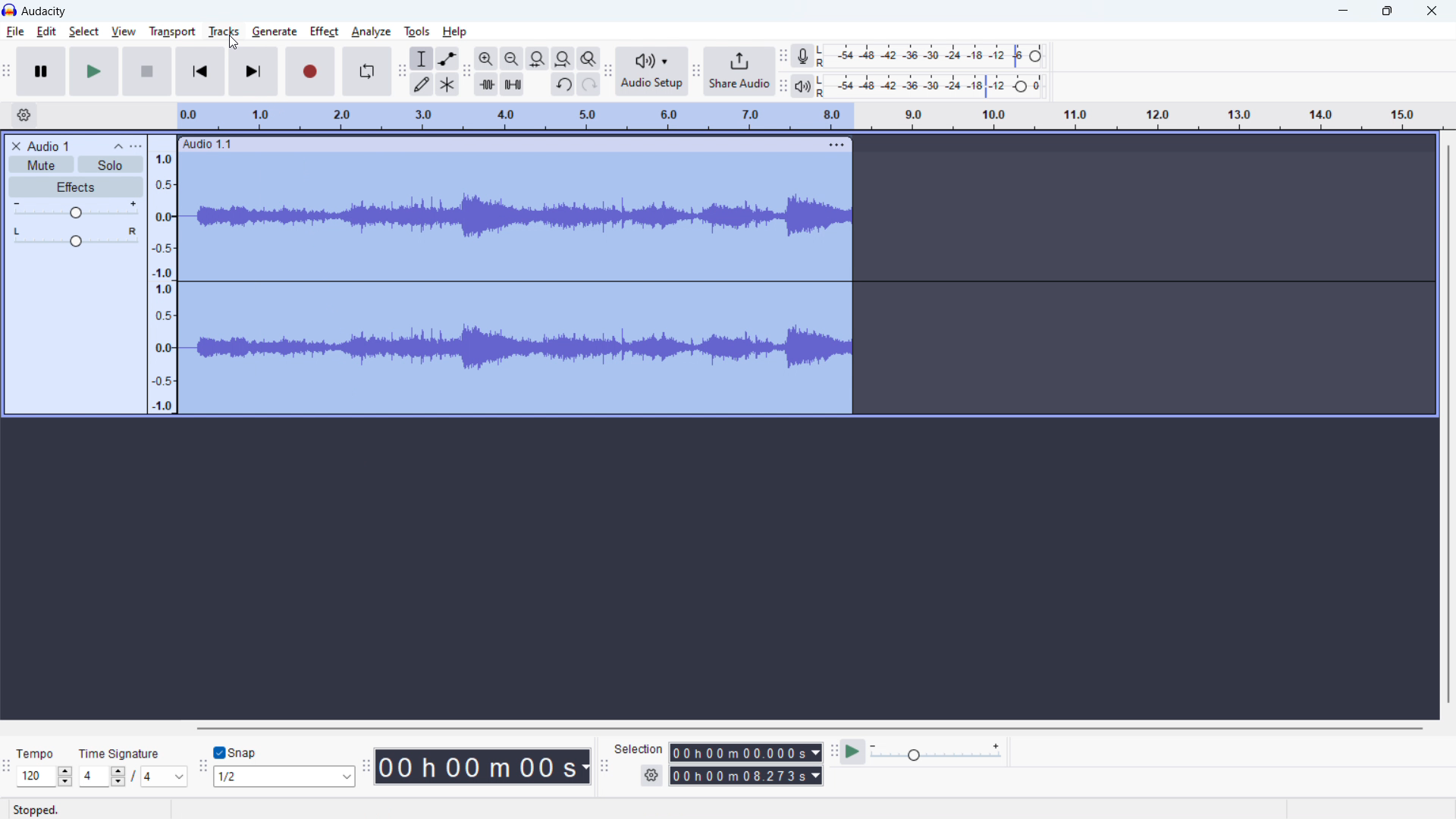 The height and width of the screenshot is (819, 1456). I want to click on undo, so click(563, 84).